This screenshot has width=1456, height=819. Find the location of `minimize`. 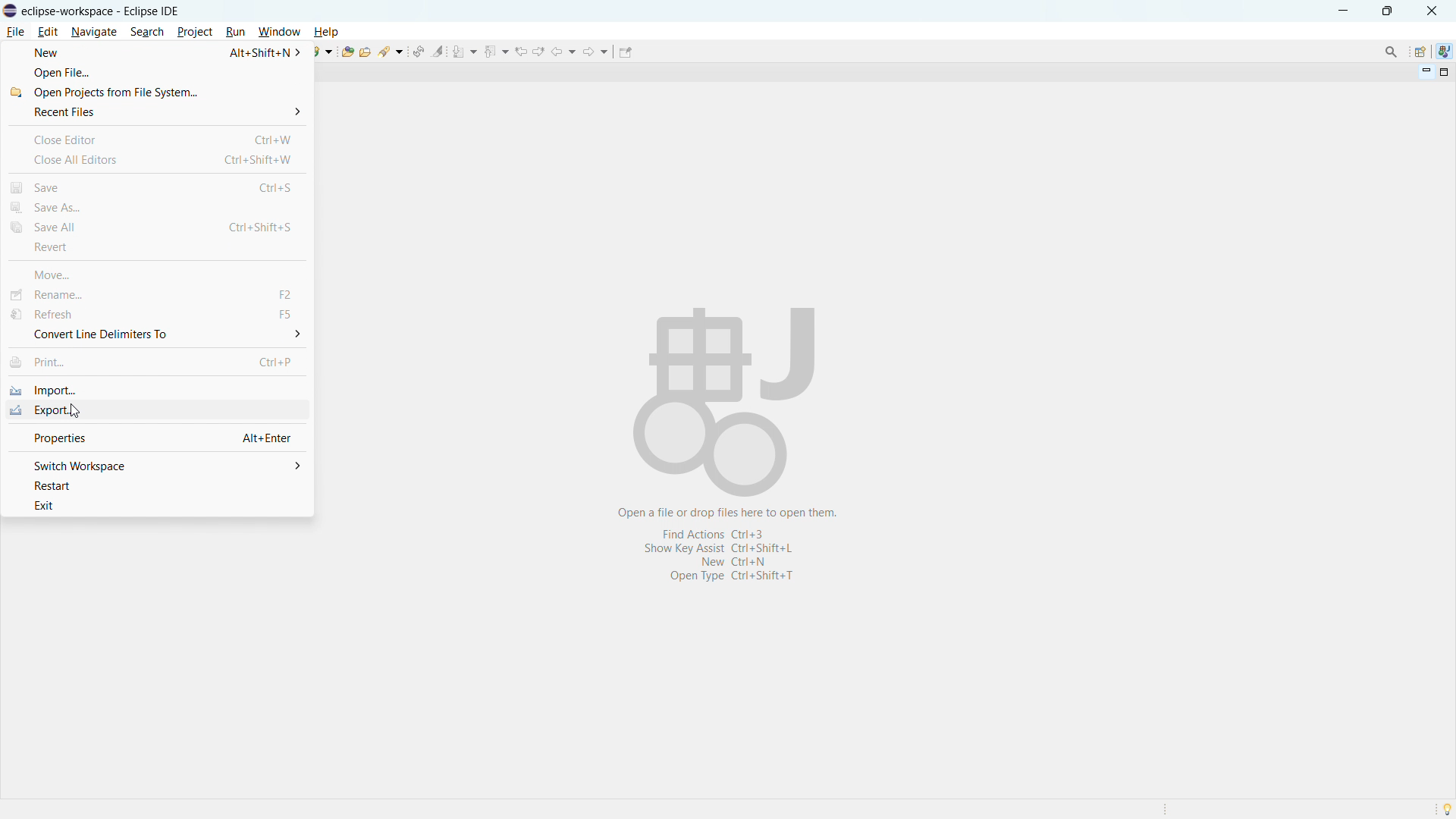

minimize is located at coordinates (1341, 10).